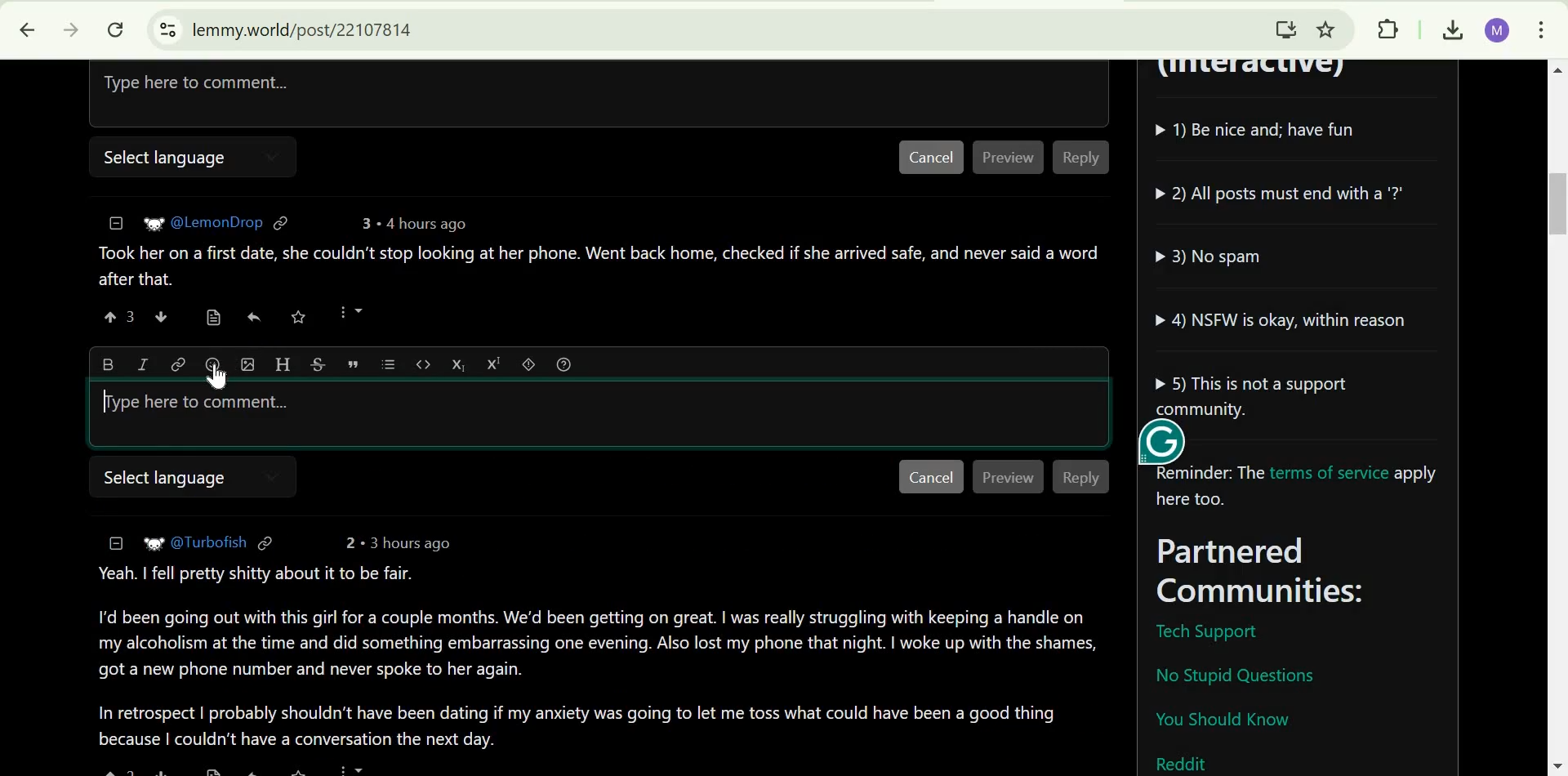 The height and width of the screenshot is (776, 1568). I want to click on comment, so click(595, 265).